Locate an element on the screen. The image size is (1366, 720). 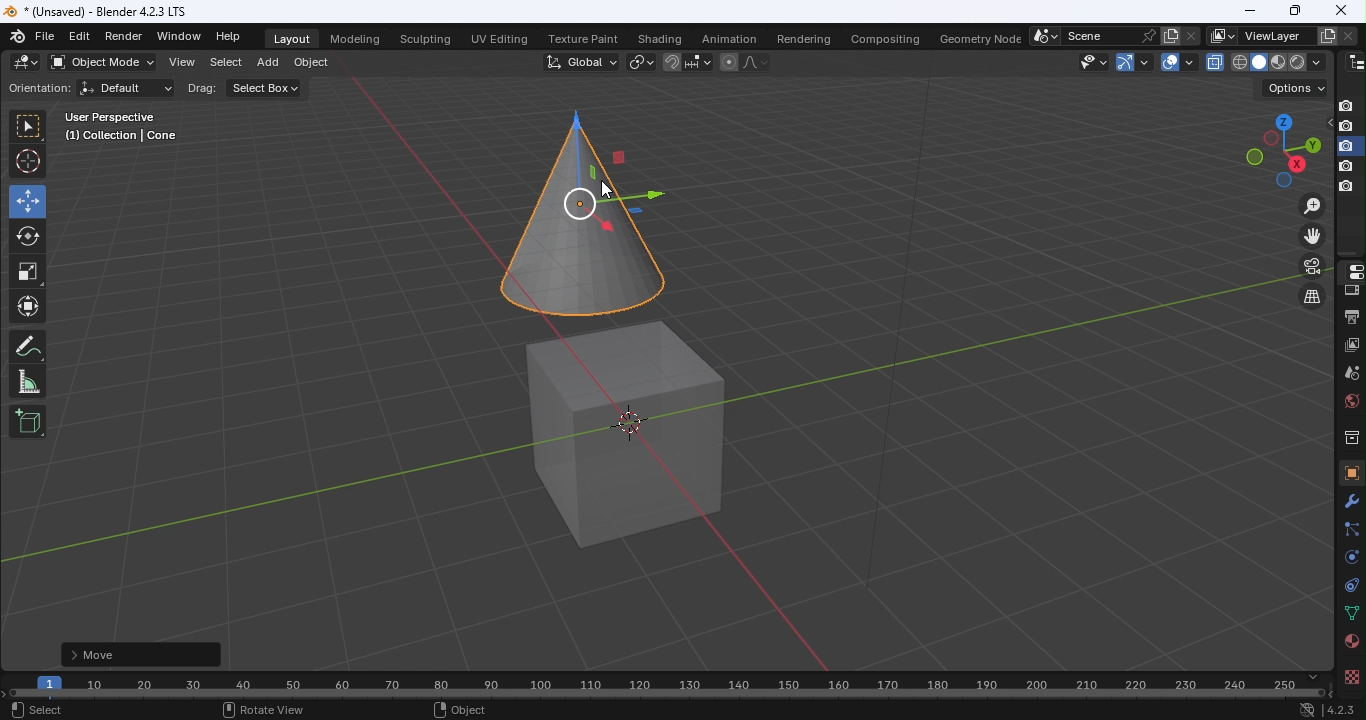
Icon is located at coordinates (19, 35).